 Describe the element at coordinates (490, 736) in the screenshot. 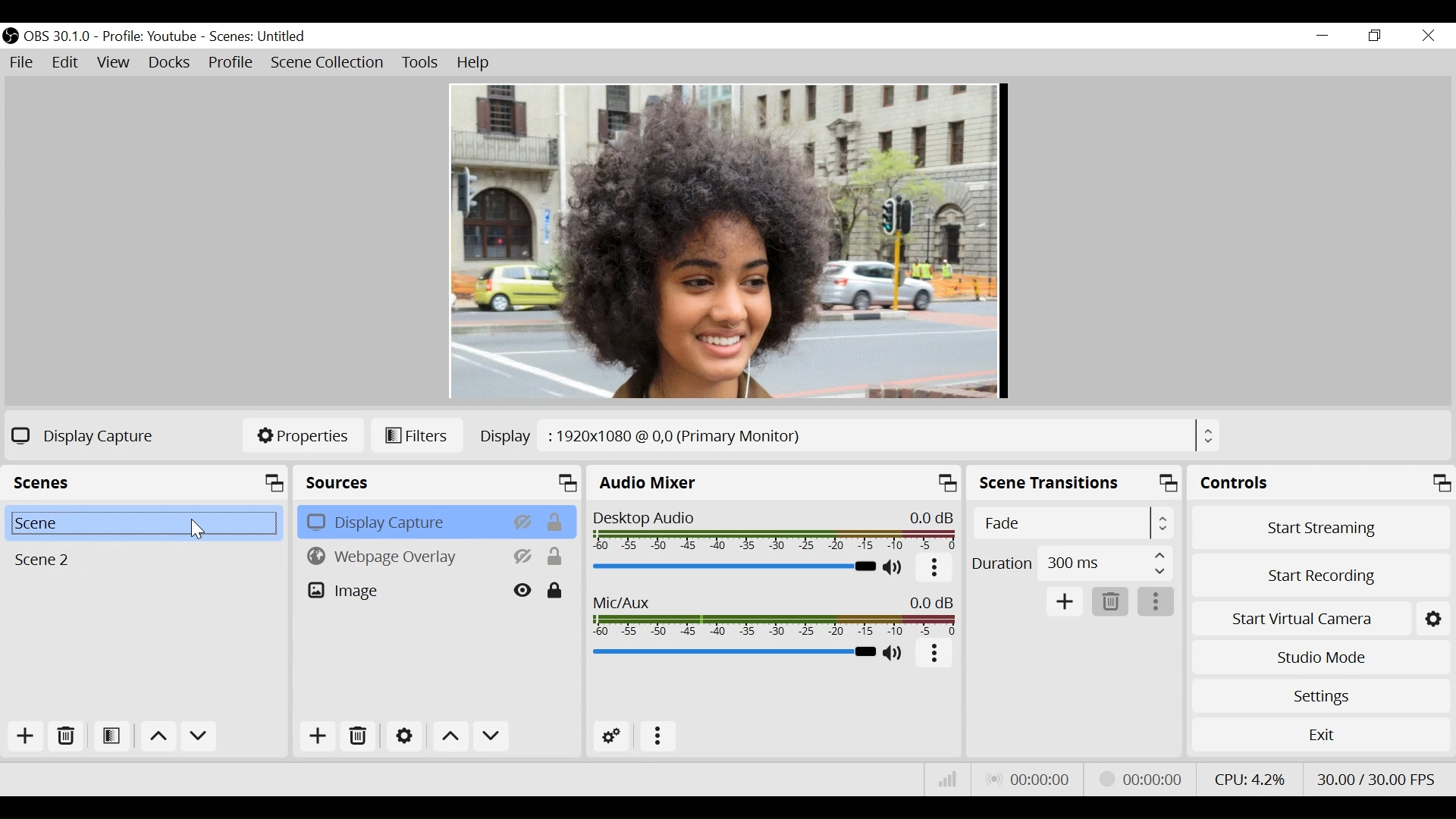

I see `Move down` at that location.